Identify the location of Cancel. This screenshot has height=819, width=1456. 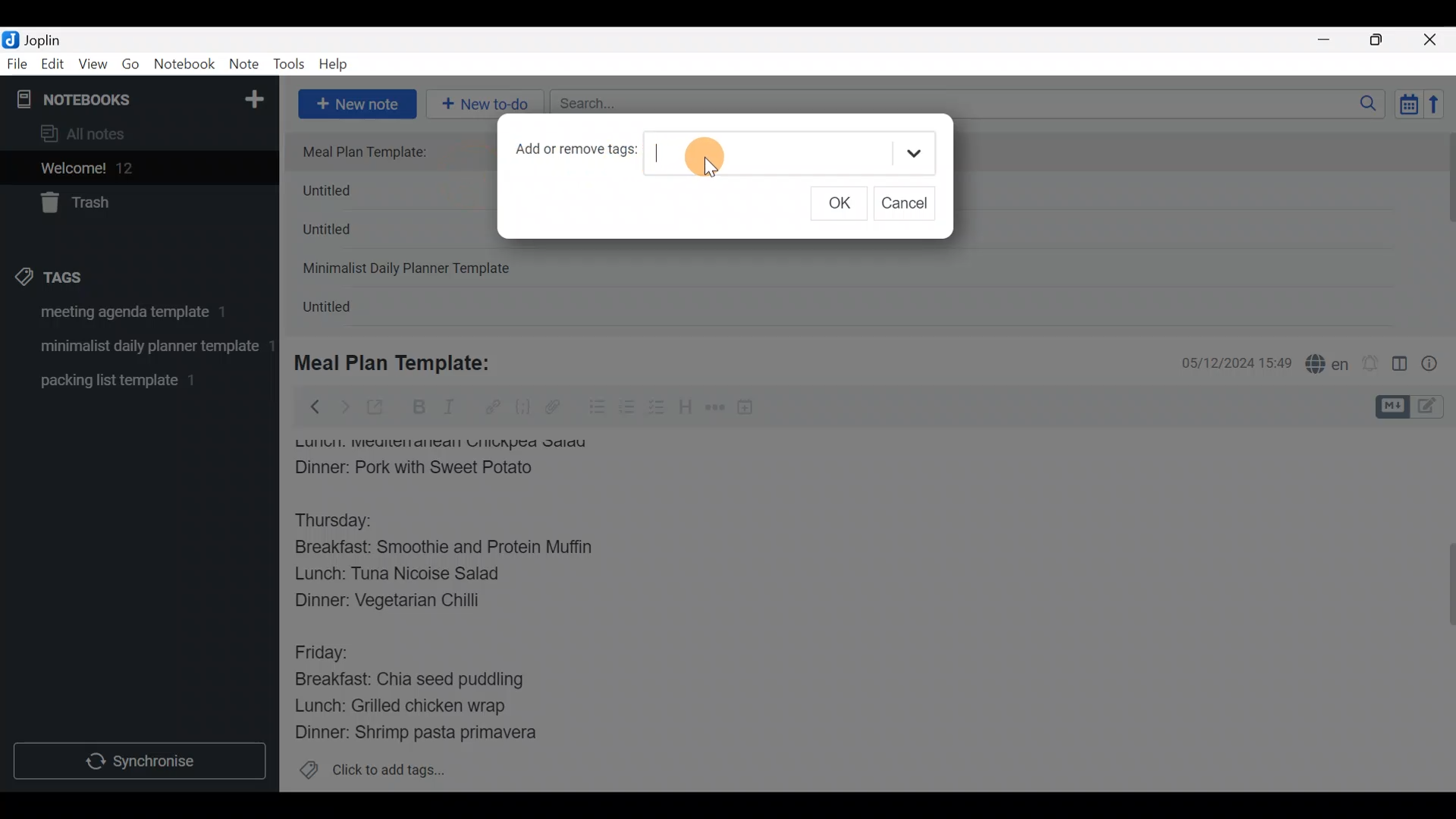
(907, 202).